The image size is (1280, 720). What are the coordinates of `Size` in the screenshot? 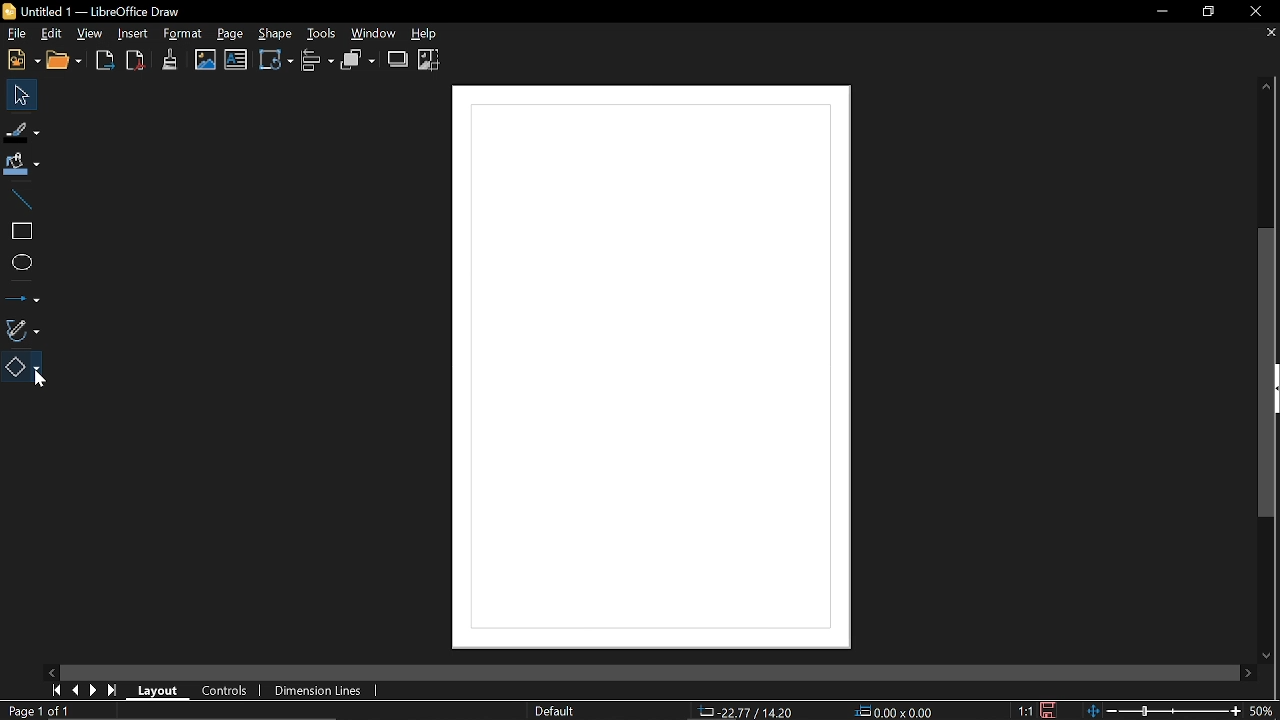 It's located at (895, 712).